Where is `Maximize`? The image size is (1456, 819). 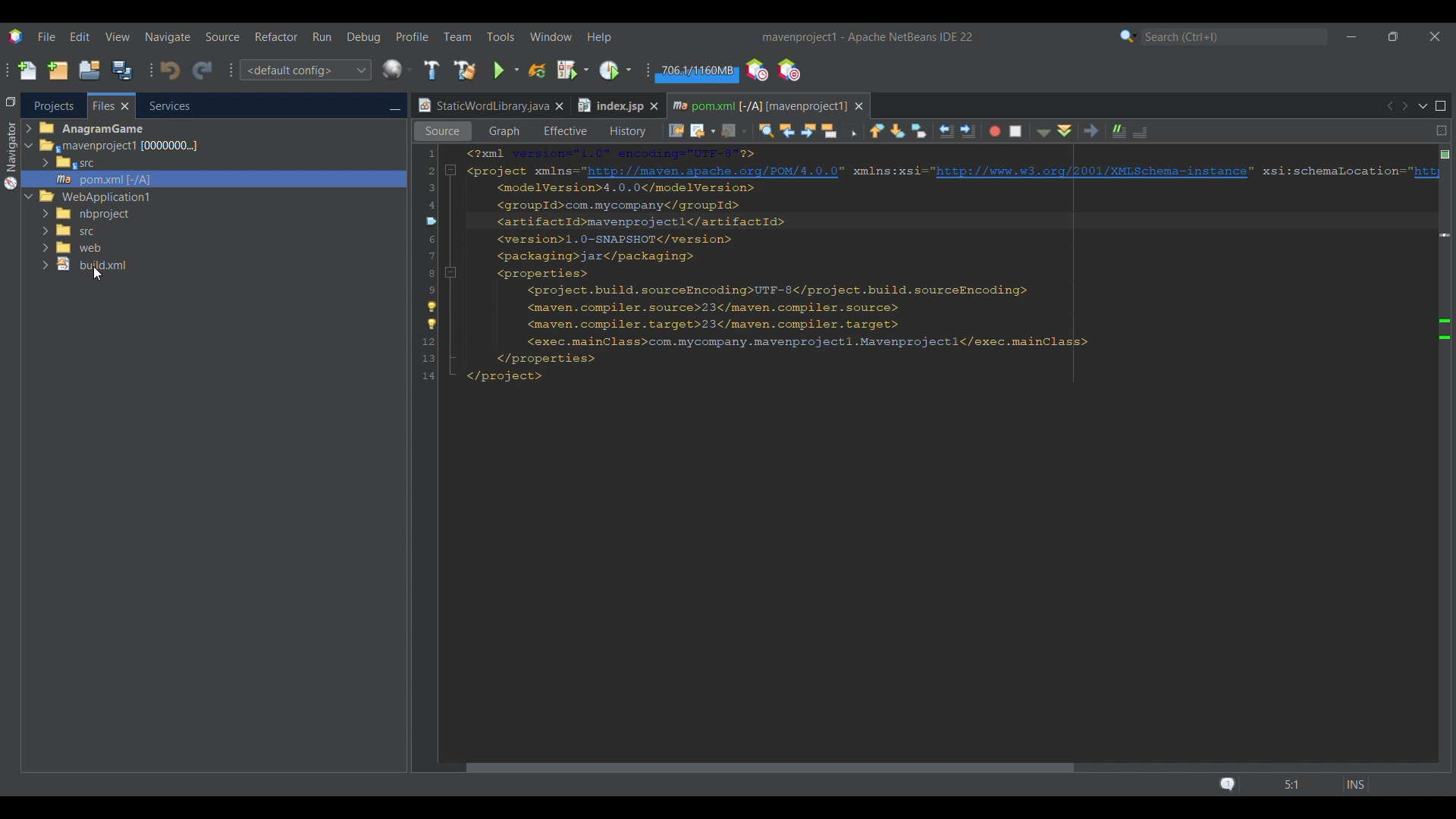 Maximize is located at coordinates (1441, 106).